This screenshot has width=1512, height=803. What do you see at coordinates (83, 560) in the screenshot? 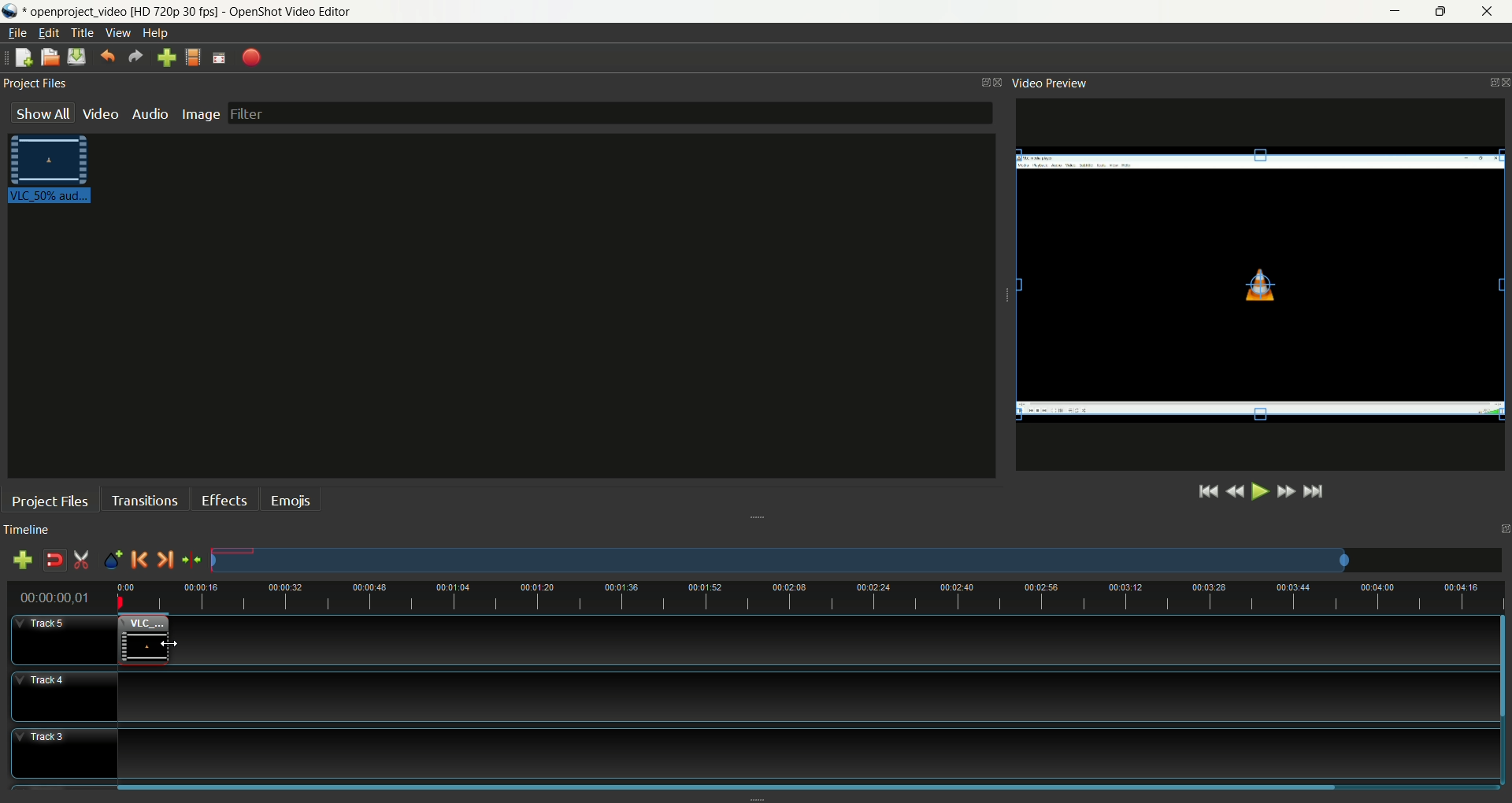
I see `enable razor` at bounding box center [83, 560].